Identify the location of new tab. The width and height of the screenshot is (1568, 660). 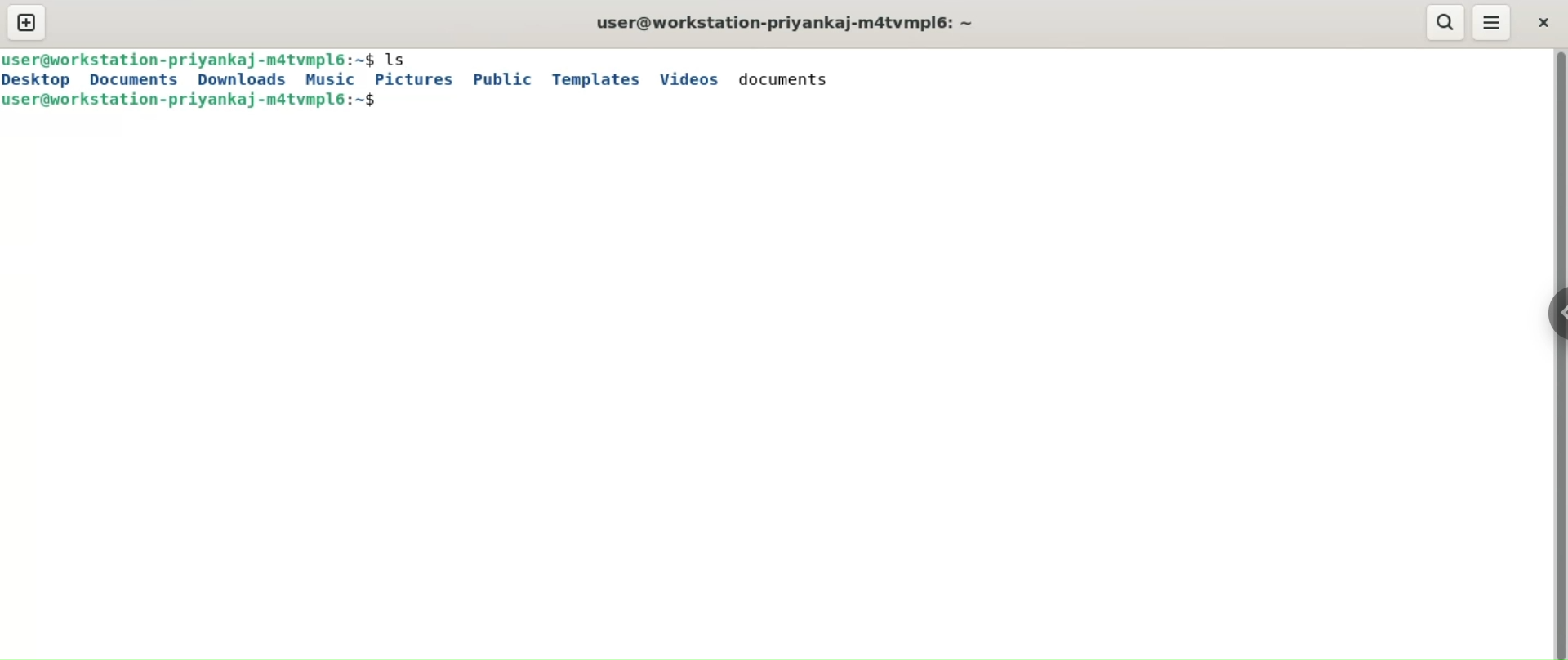
(26, 23).